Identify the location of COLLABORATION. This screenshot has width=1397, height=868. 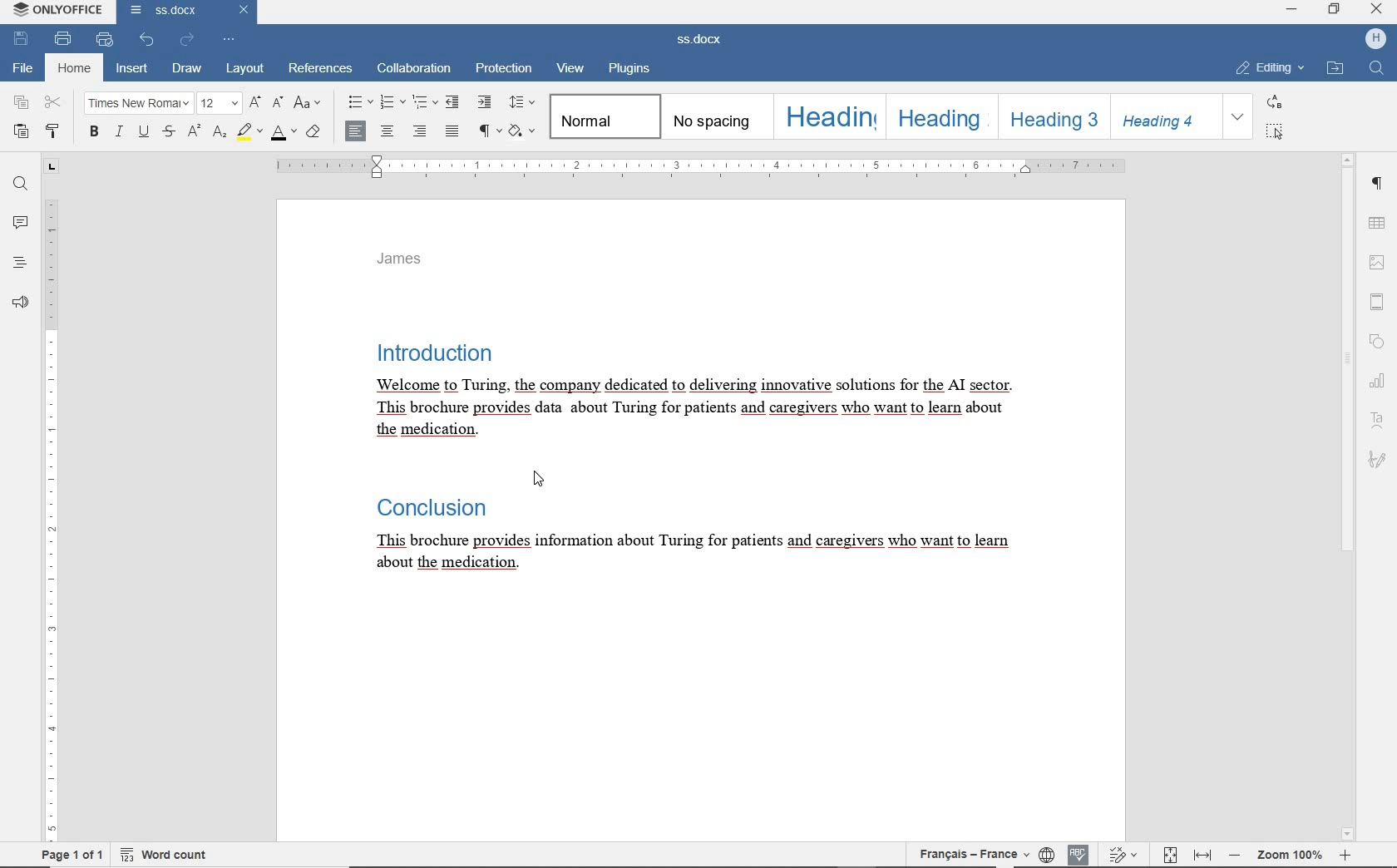
(415, 67).